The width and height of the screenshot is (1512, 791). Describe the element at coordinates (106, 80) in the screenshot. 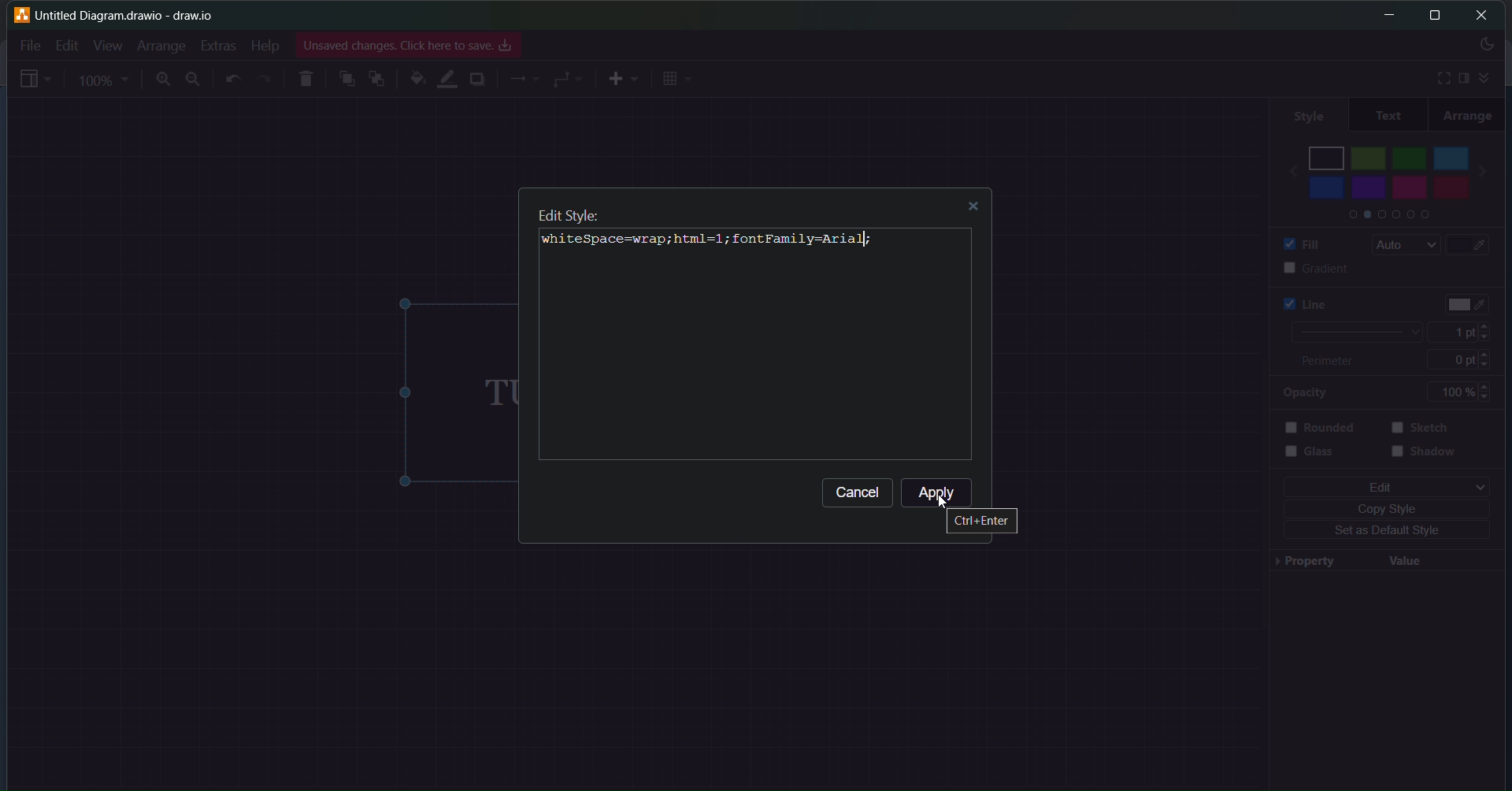

I see `zoom percentage` at that location.